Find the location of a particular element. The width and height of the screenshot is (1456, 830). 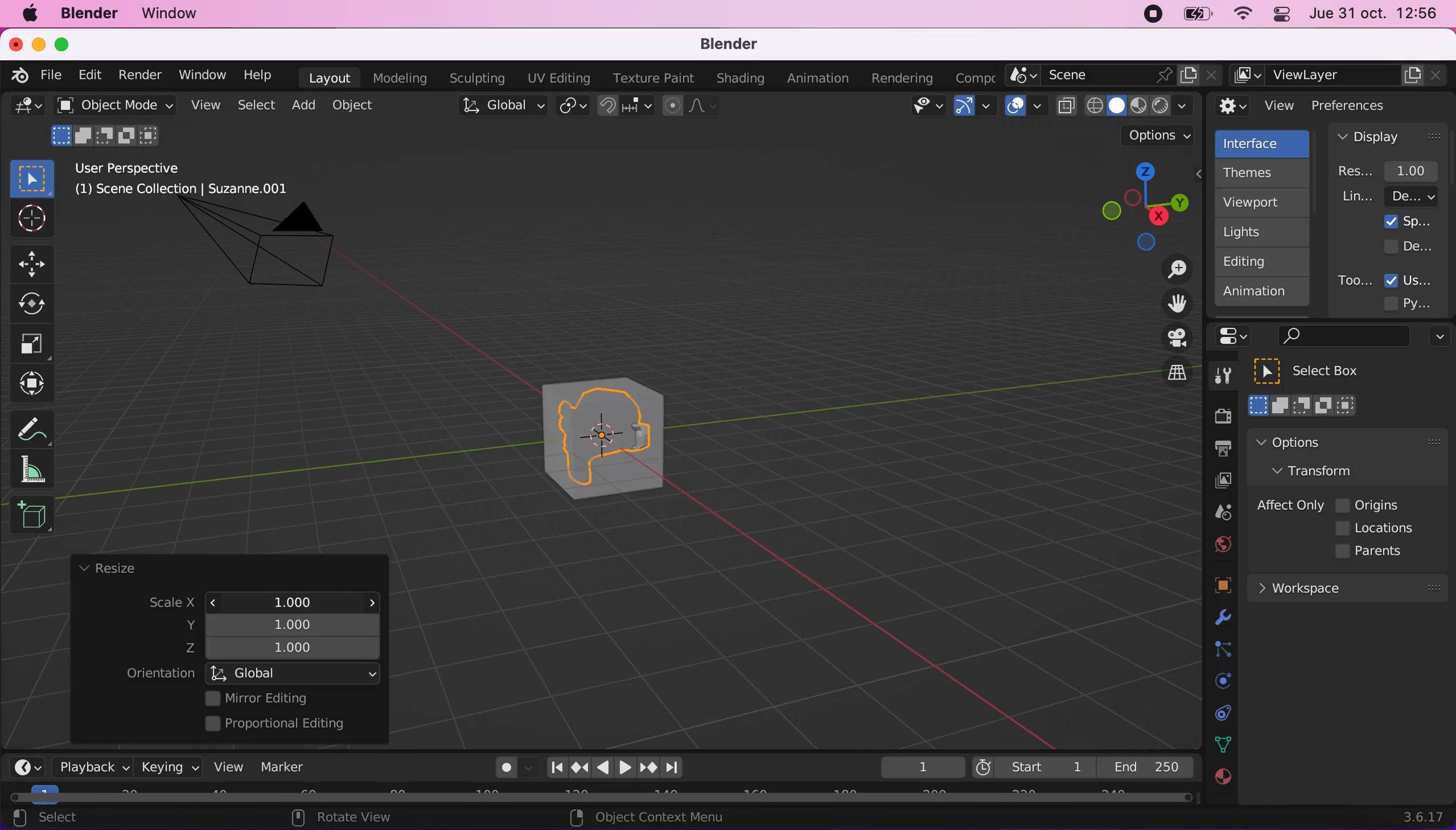

battery is located at coordinates (1193, 17).